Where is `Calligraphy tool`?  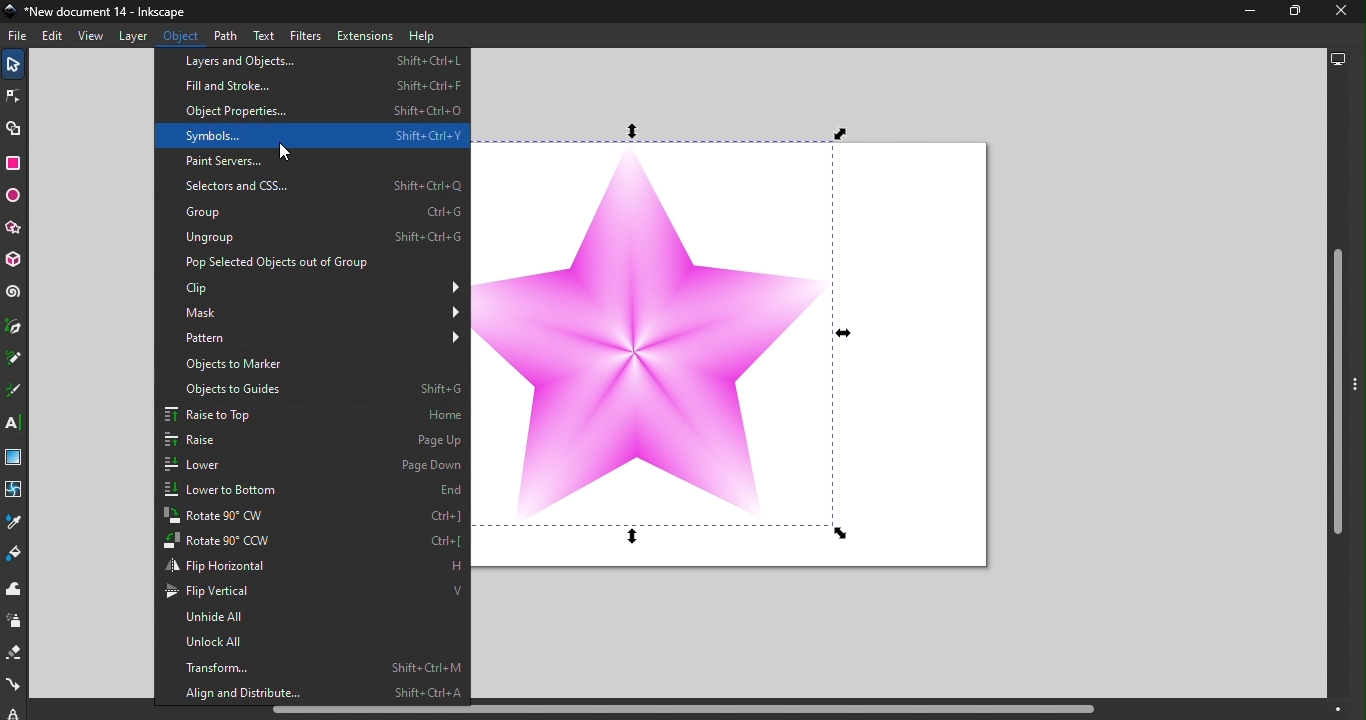 Calligraphy tool is located at coordinates (14, 389).